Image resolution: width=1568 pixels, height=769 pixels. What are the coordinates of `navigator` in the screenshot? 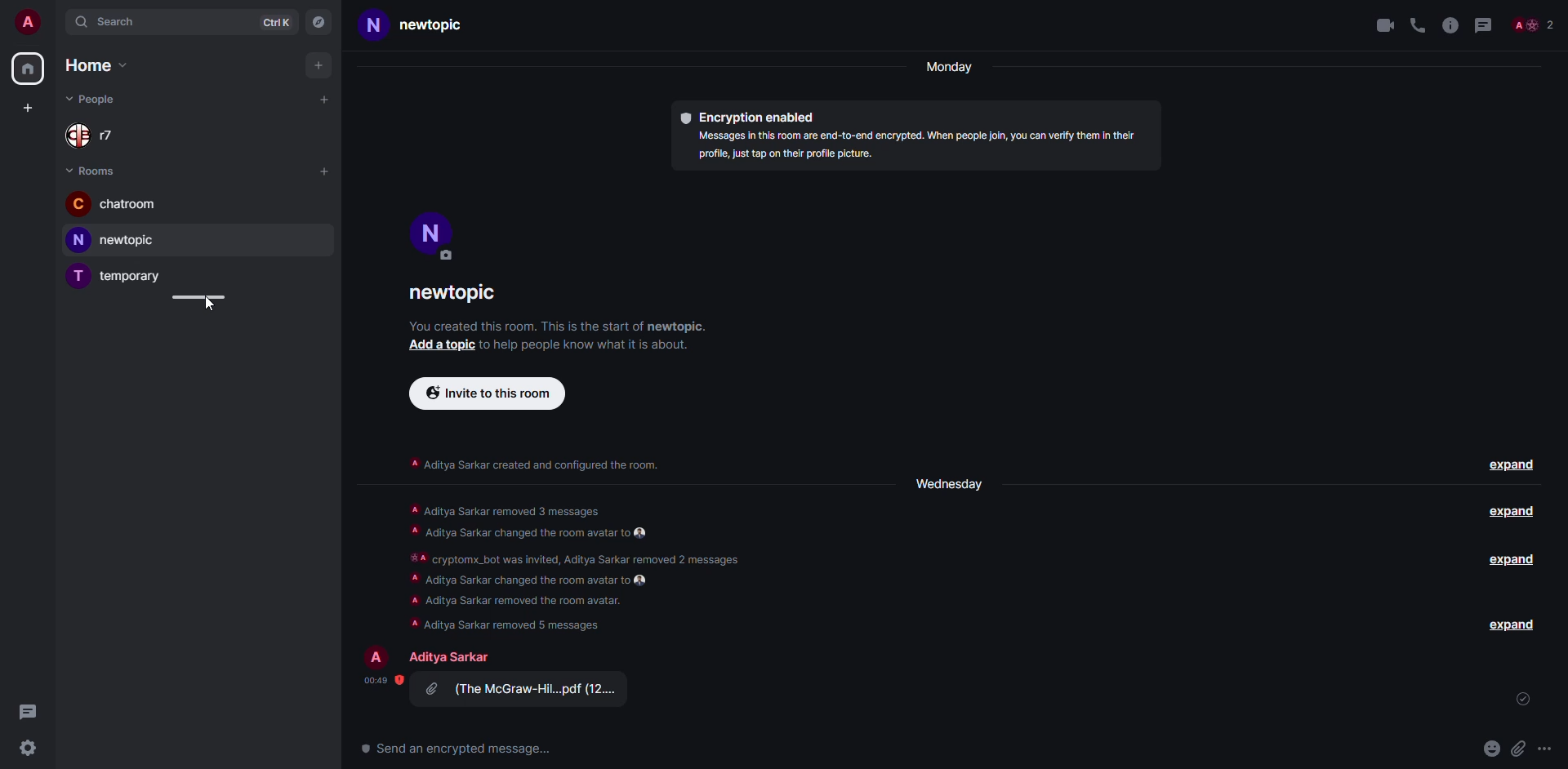 It's located at (319, 23).